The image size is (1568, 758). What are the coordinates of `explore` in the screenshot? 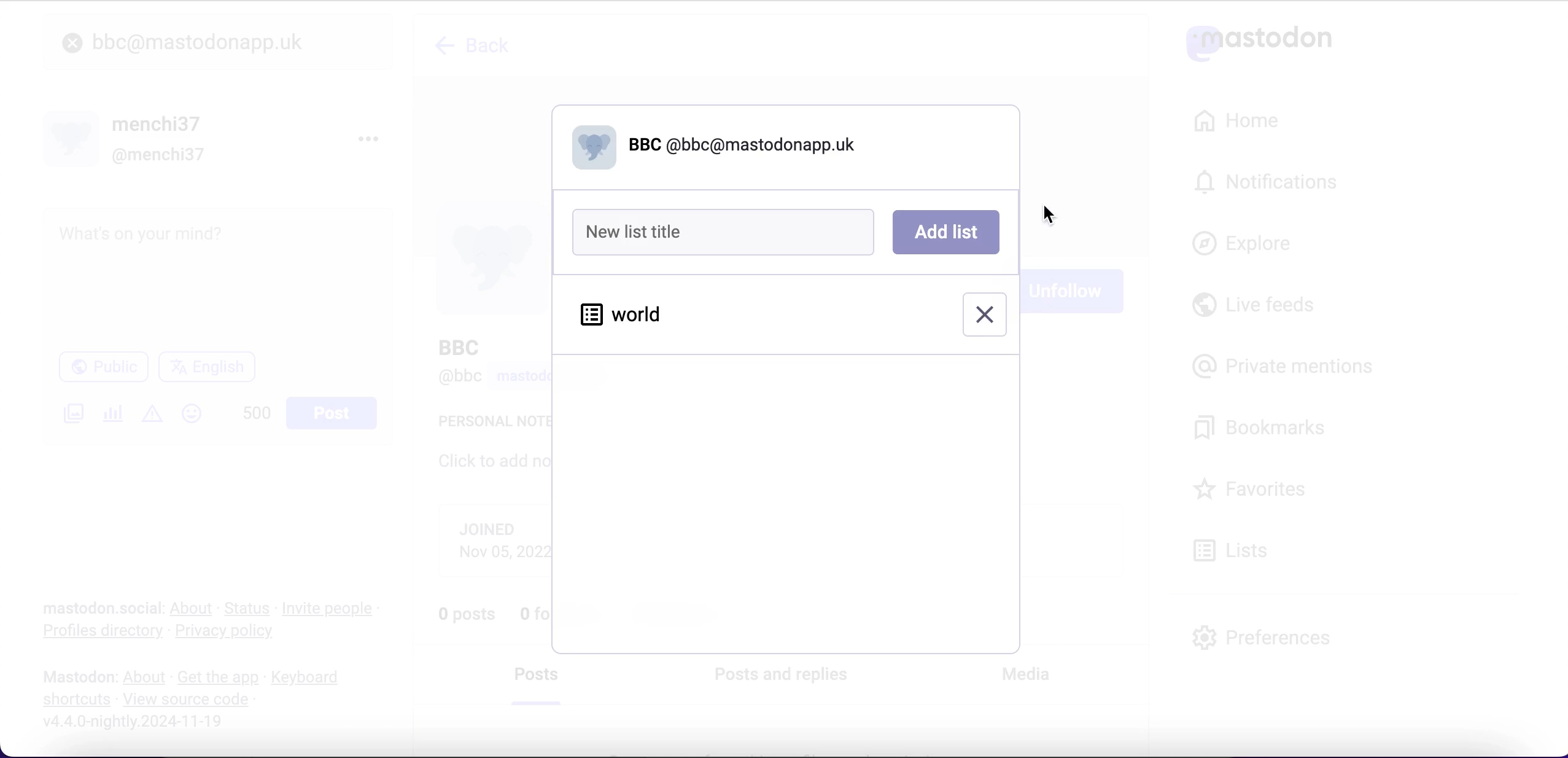 It's located at (1254, 244).